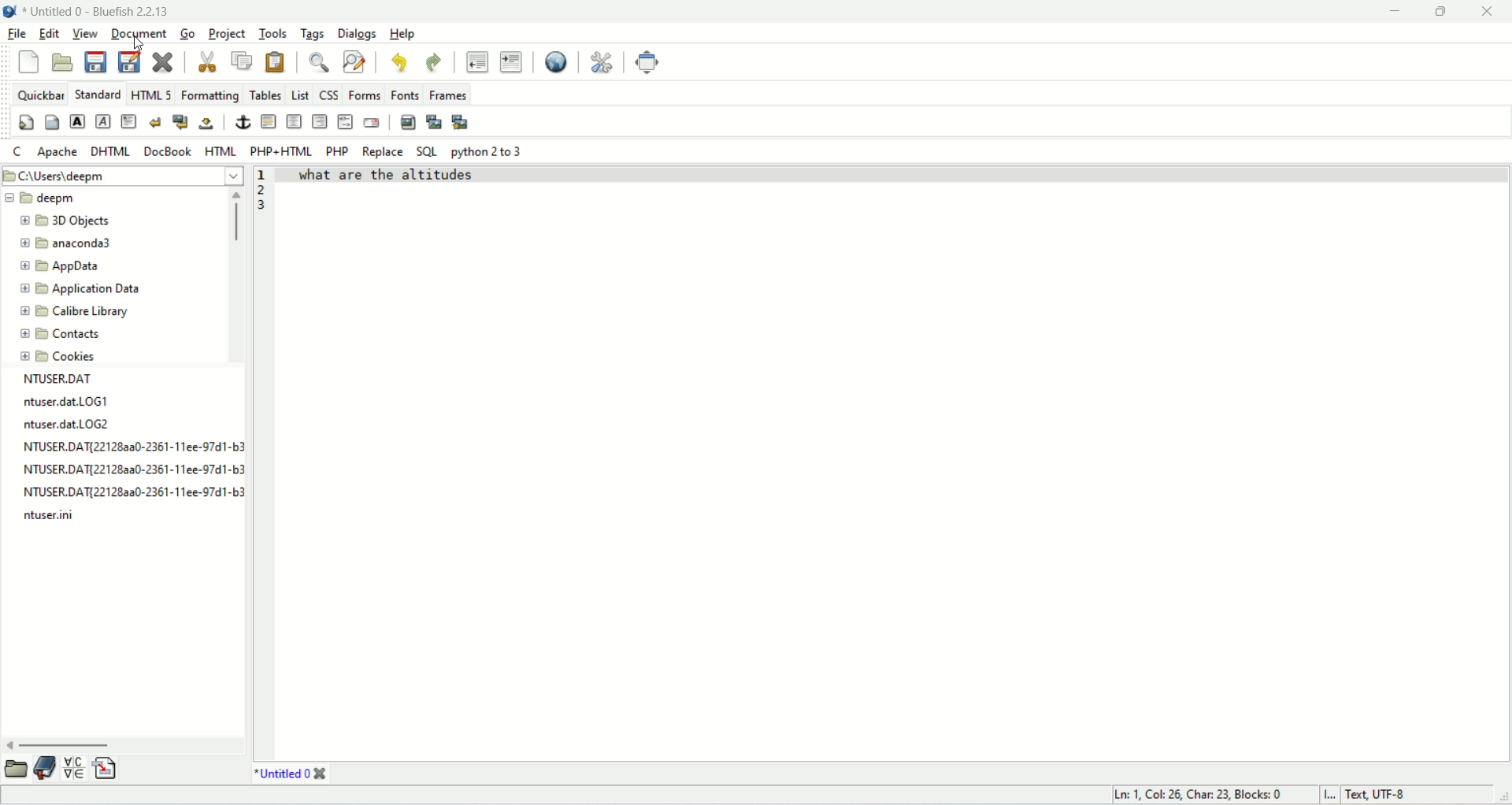 Image resolution: width=1512 pixels, height=805 pixels. I want to click on I, so click(1333, 795).